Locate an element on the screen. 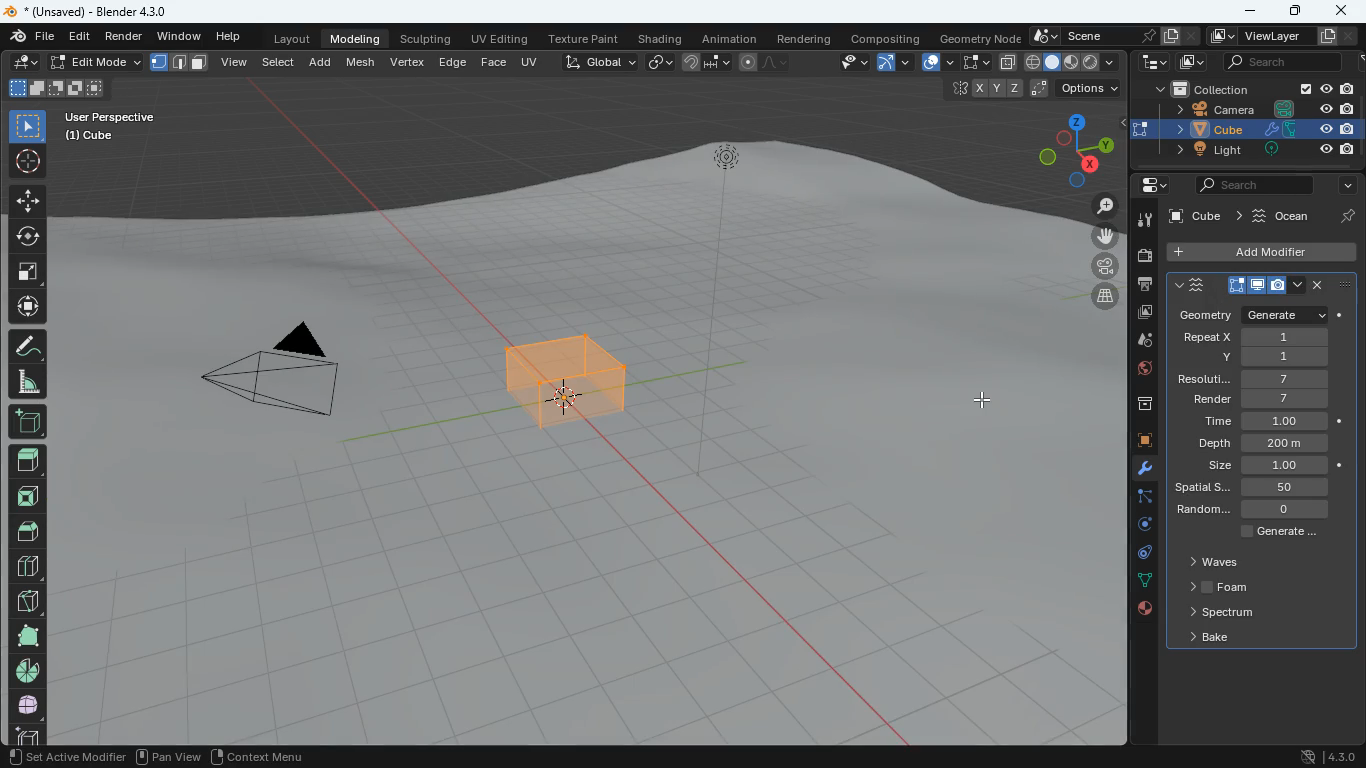 The image size is (1366, 768). rotation is located at coordinates (1137, 526).